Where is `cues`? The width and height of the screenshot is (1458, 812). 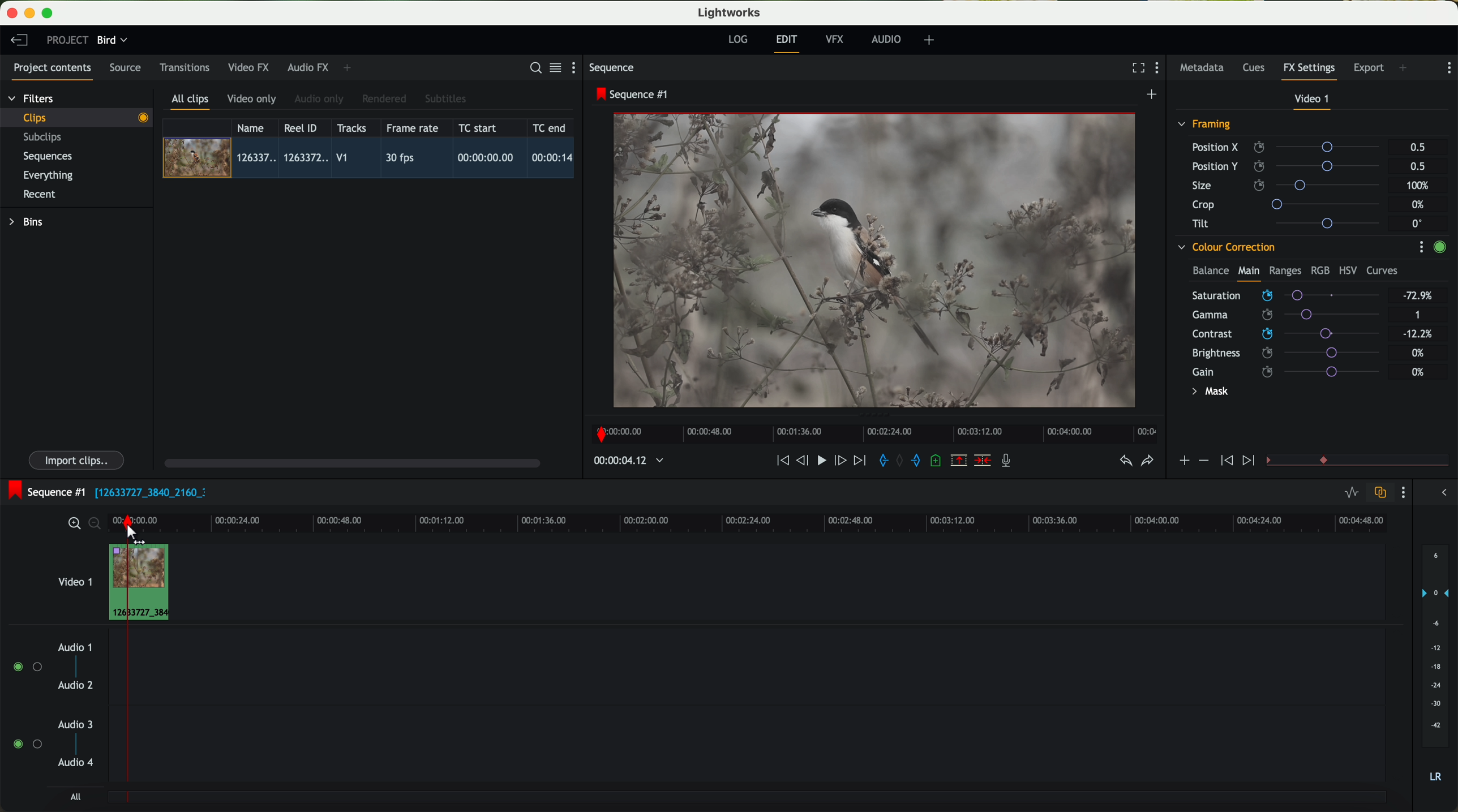 cues is located at coordinates (1257, 68).